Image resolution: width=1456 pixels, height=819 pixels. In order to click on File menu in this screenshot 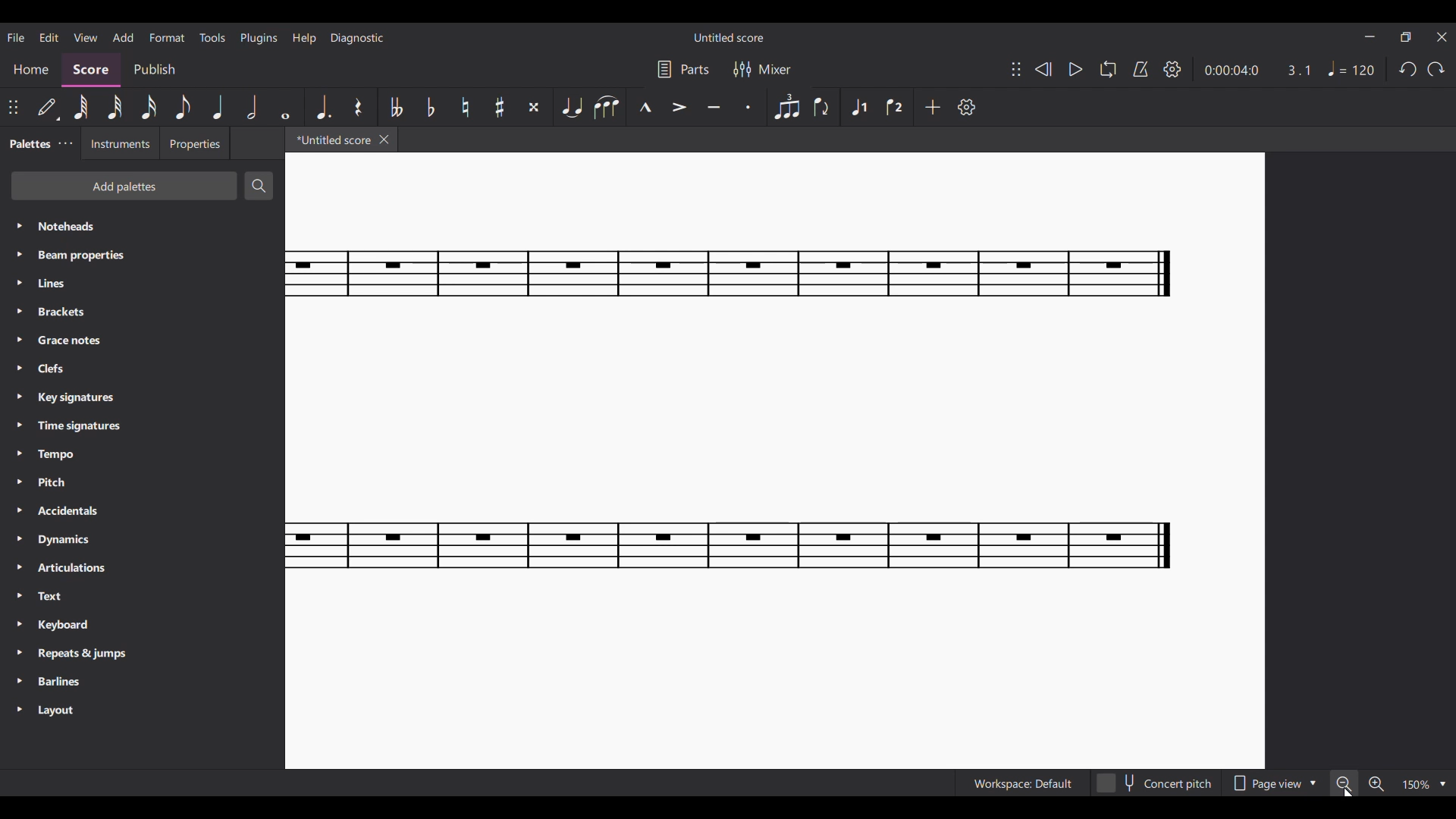, I will do `click(17, 38)`.